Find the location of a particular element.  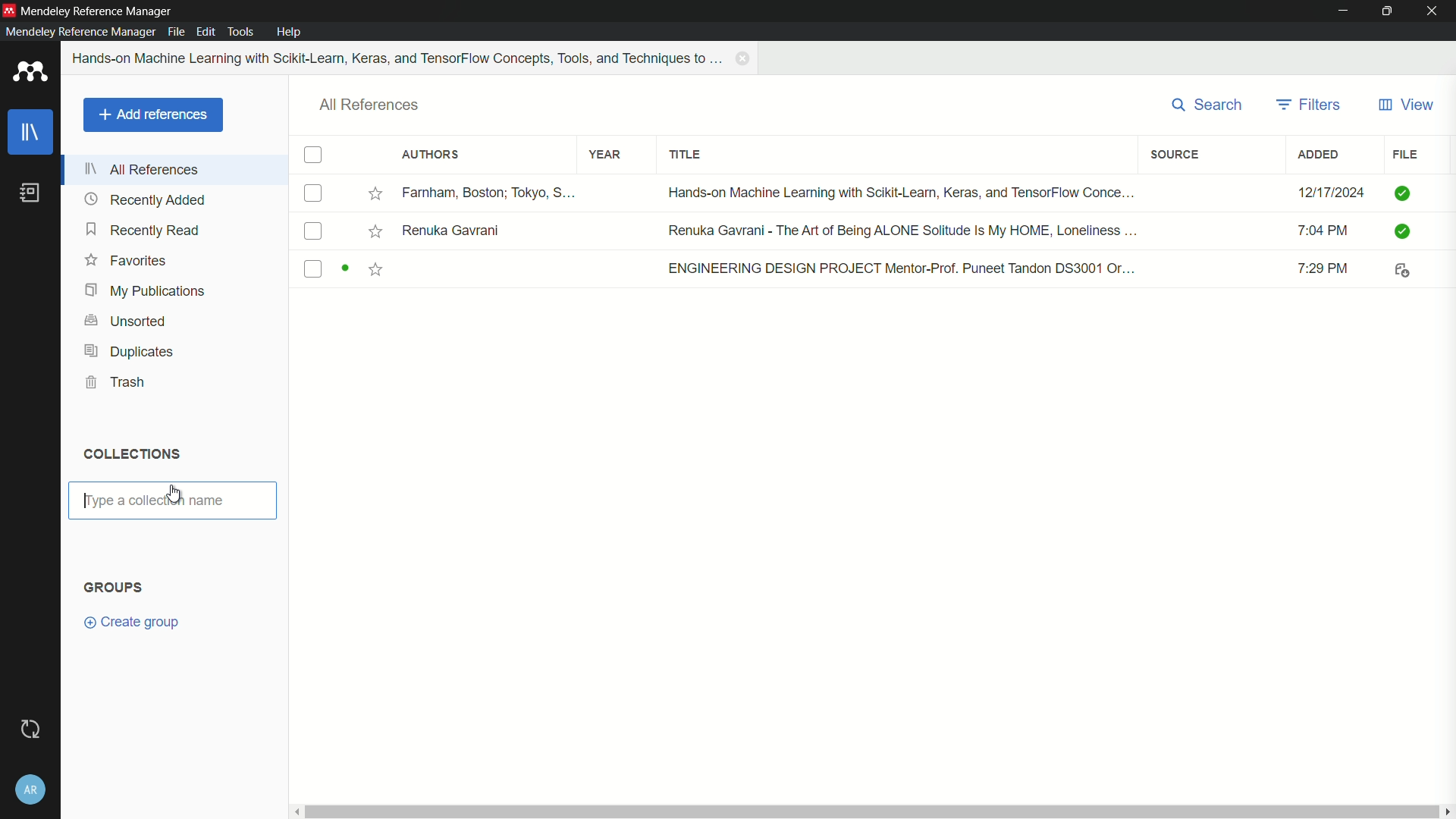

all references is located at coordinates (370, 105).